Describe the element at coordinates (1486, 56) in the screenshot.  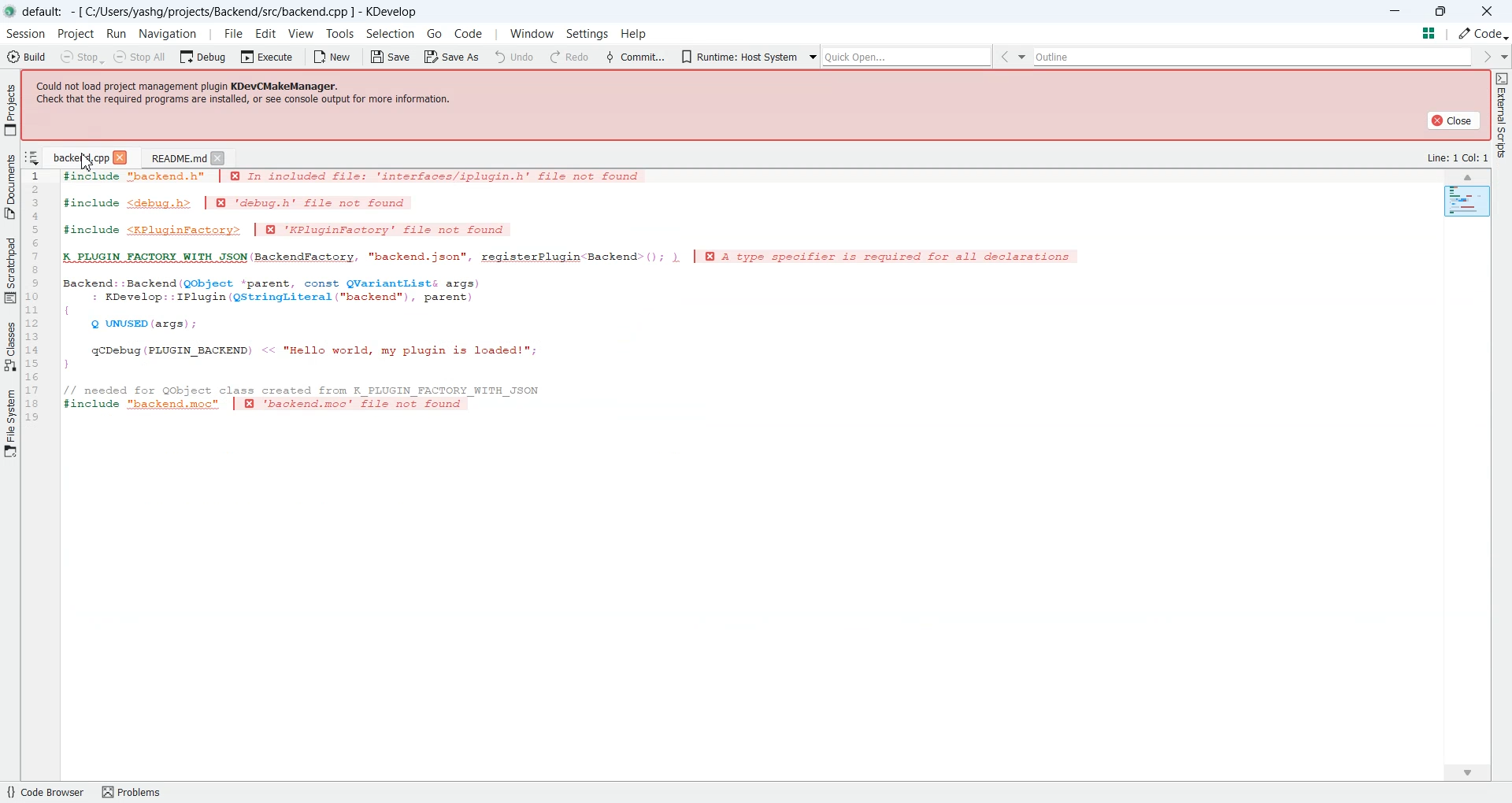
I see `forward` at that location.